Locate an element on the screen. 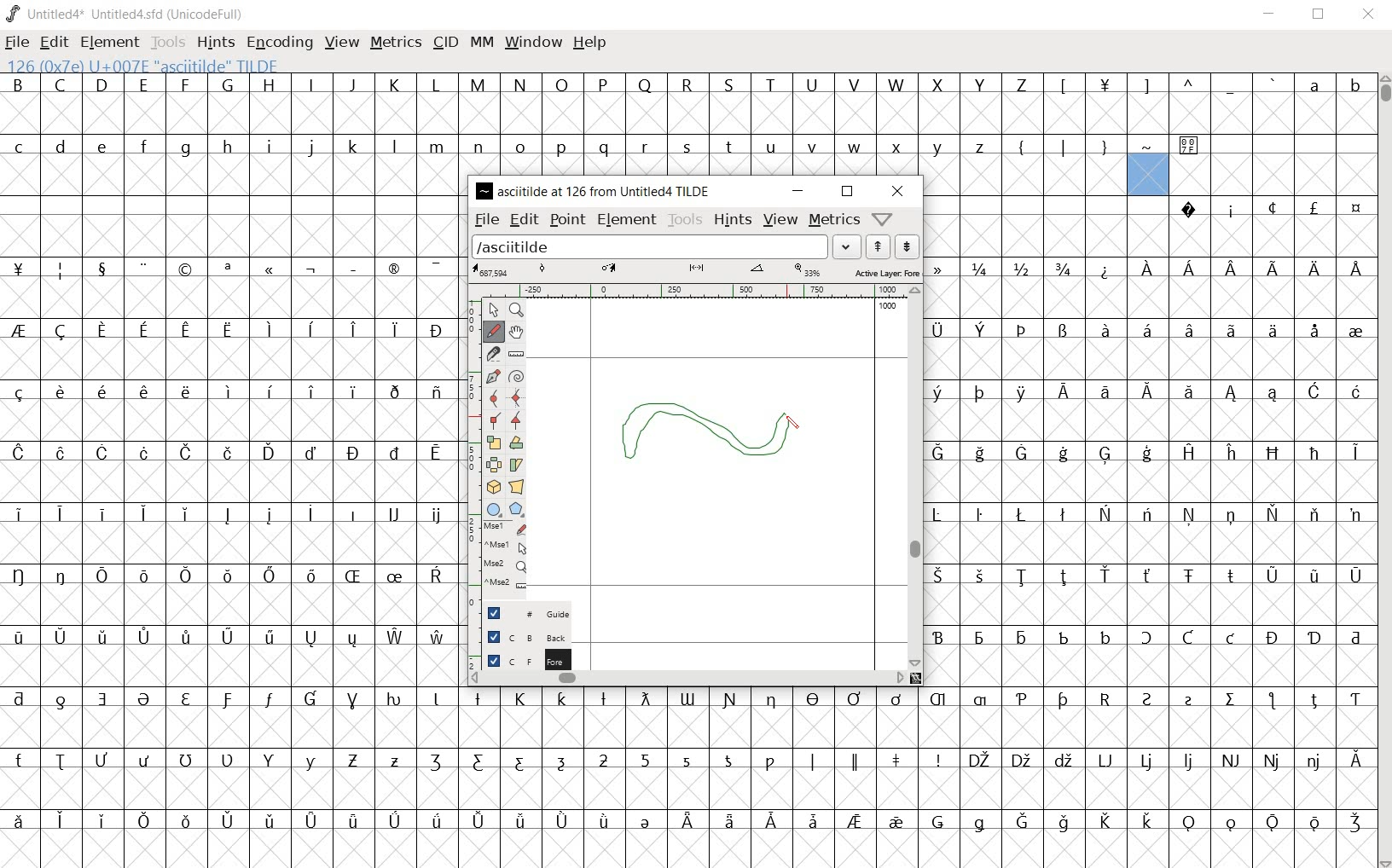  CID is located at coordinates (444, 42).